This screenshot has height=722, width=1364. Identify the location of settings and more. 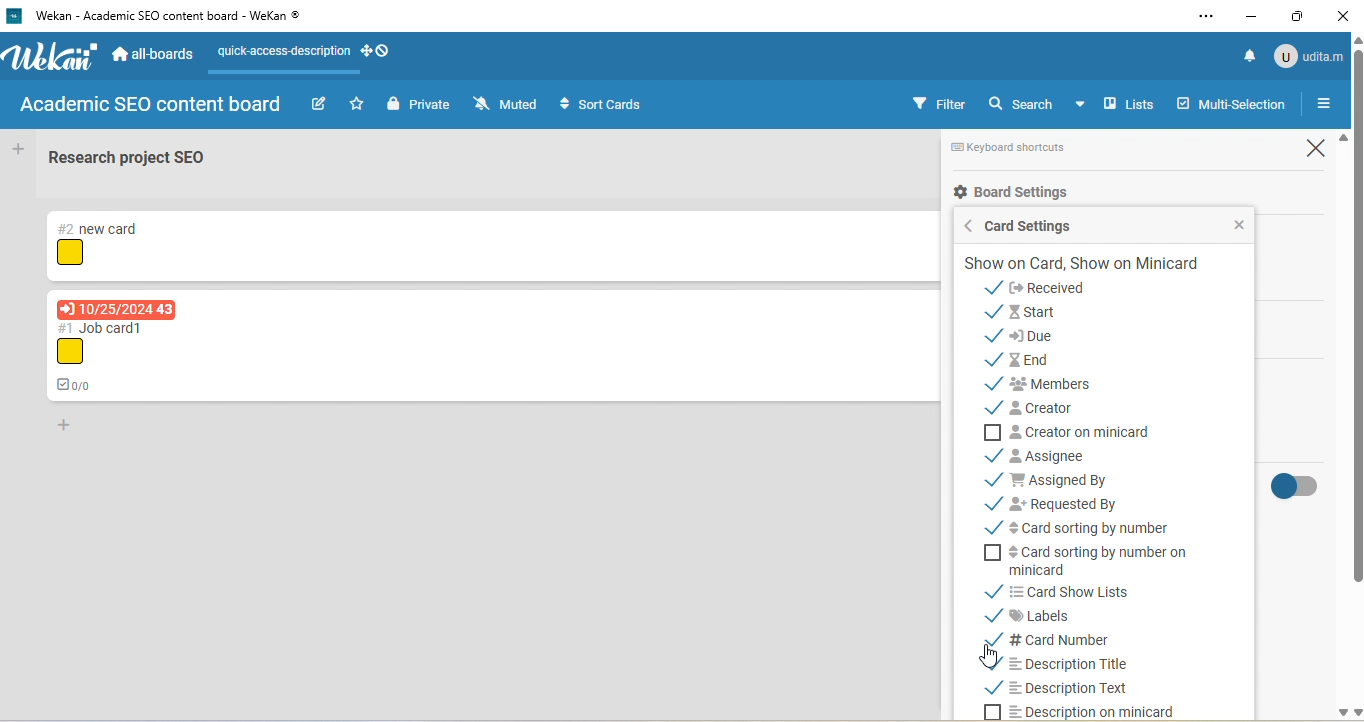
(1204, 18).